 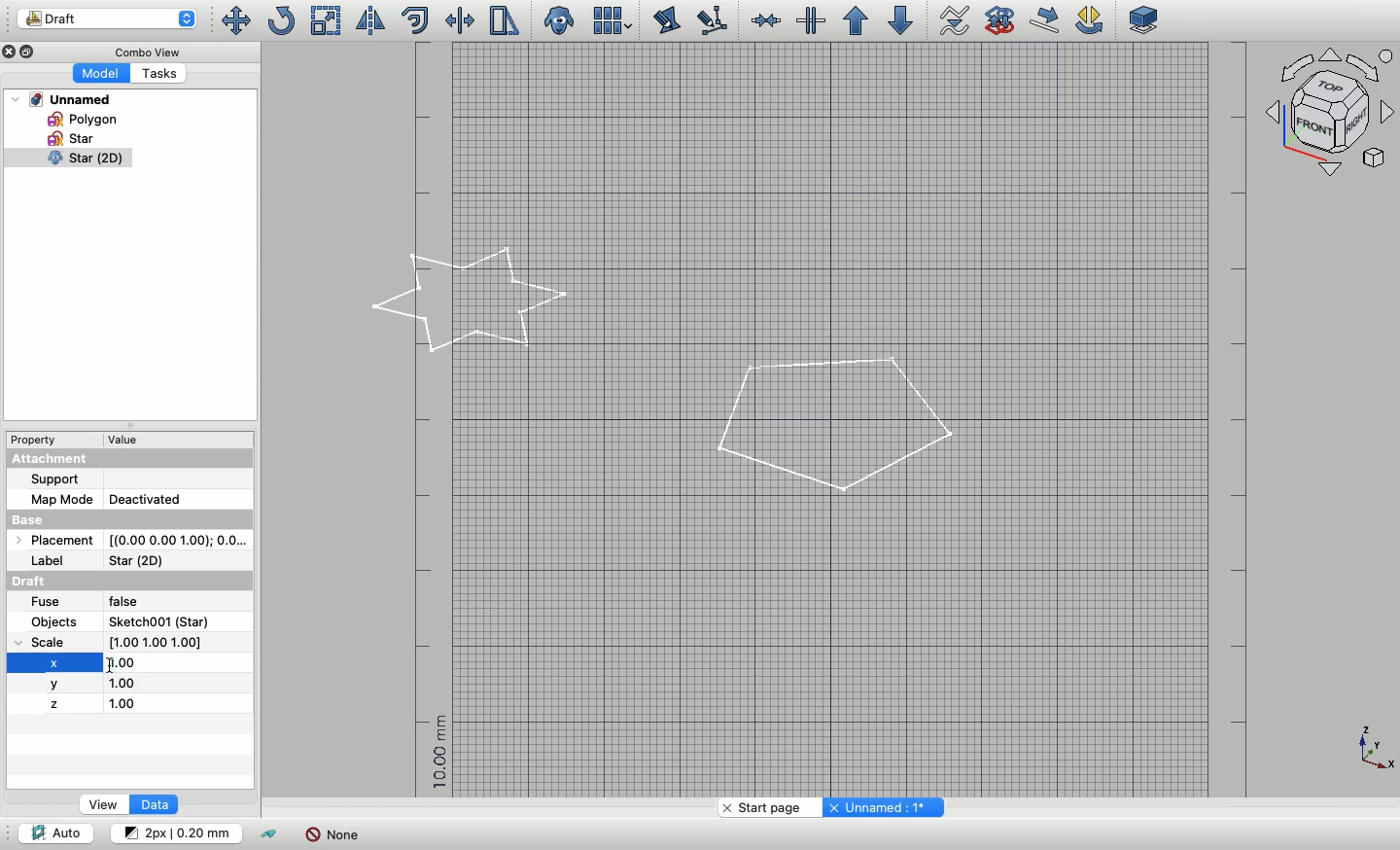 What do you see at coordinates (610, 20) in the screenshot?
I see `Array tools` at bounding box center [610, 20].